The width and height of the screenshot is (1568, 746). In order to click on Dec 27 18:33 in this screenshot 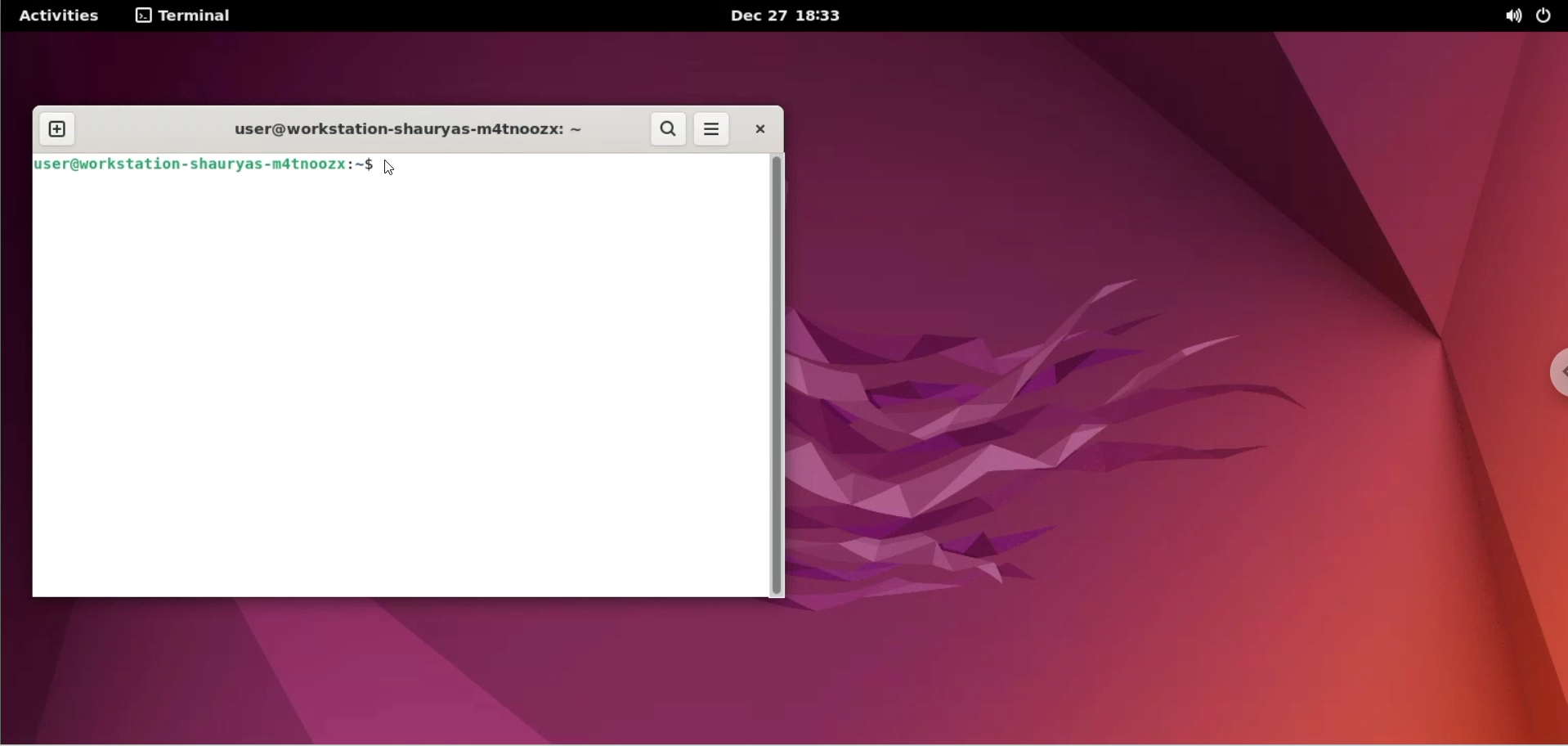, I will do `click(792, 16)`.